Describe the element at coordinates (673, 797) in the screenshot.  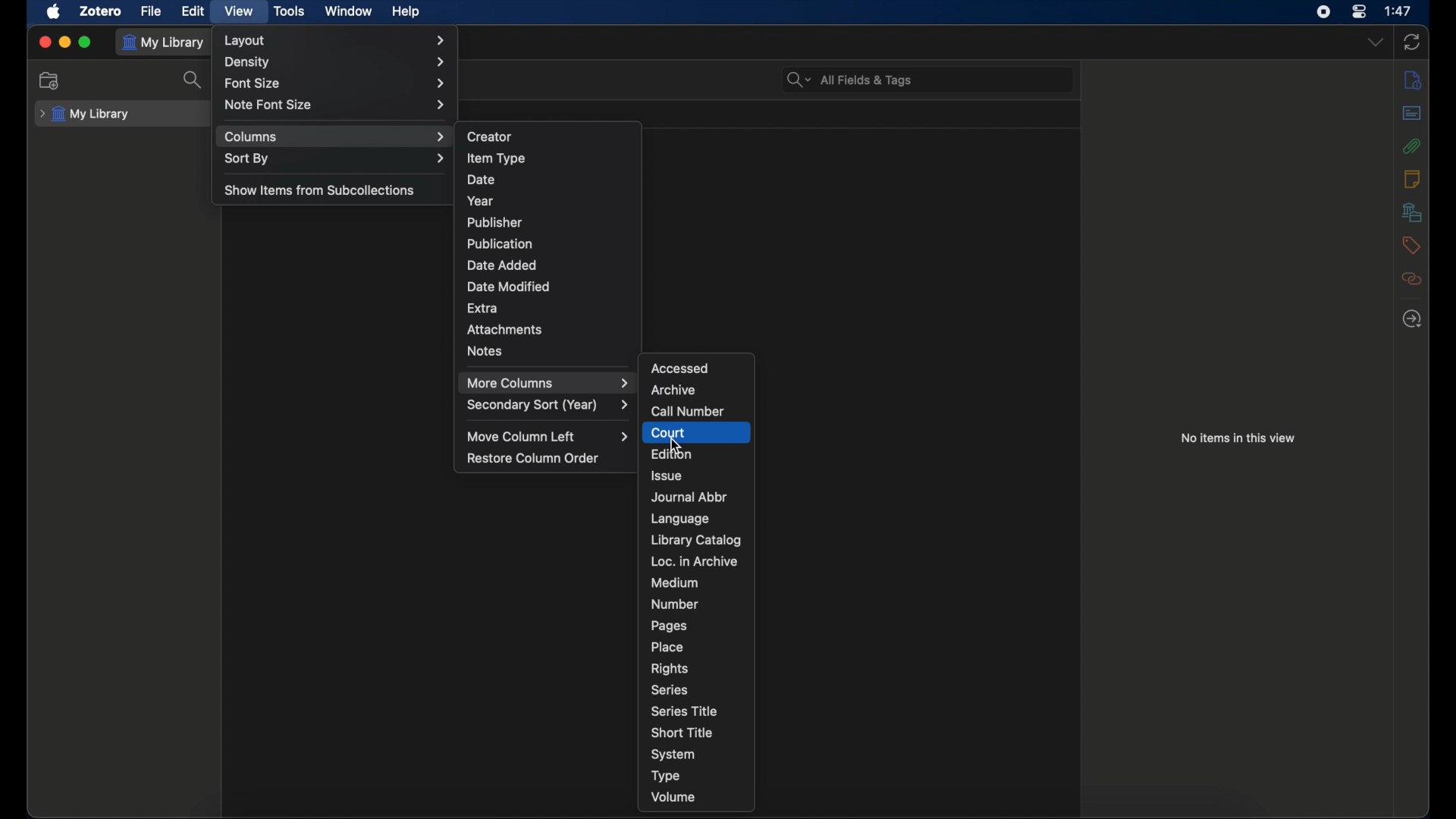
I see `volume` at that location.